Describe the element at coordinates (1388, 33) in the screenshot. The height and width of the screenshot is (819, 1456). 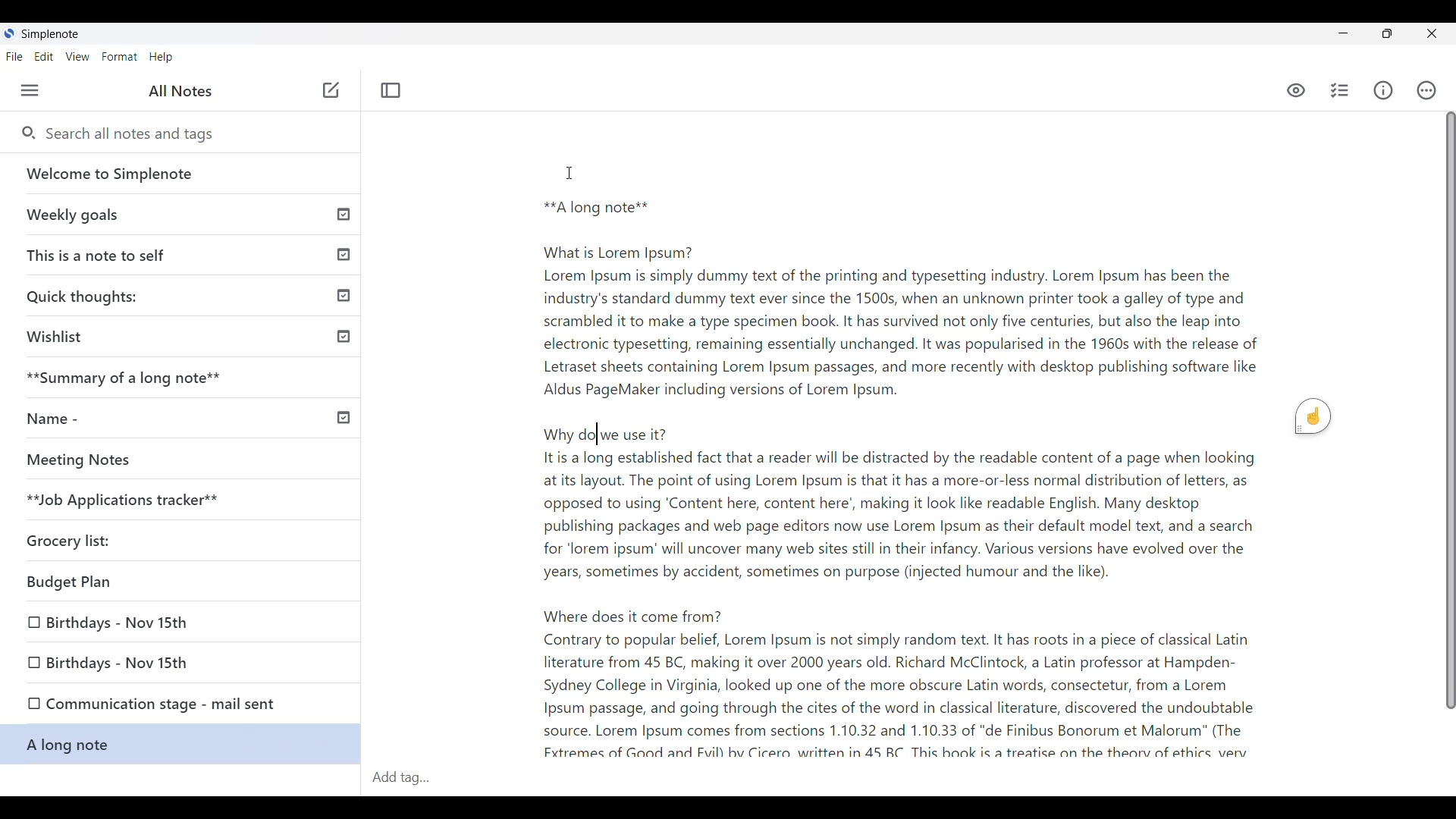
I see `Resize` at that location.